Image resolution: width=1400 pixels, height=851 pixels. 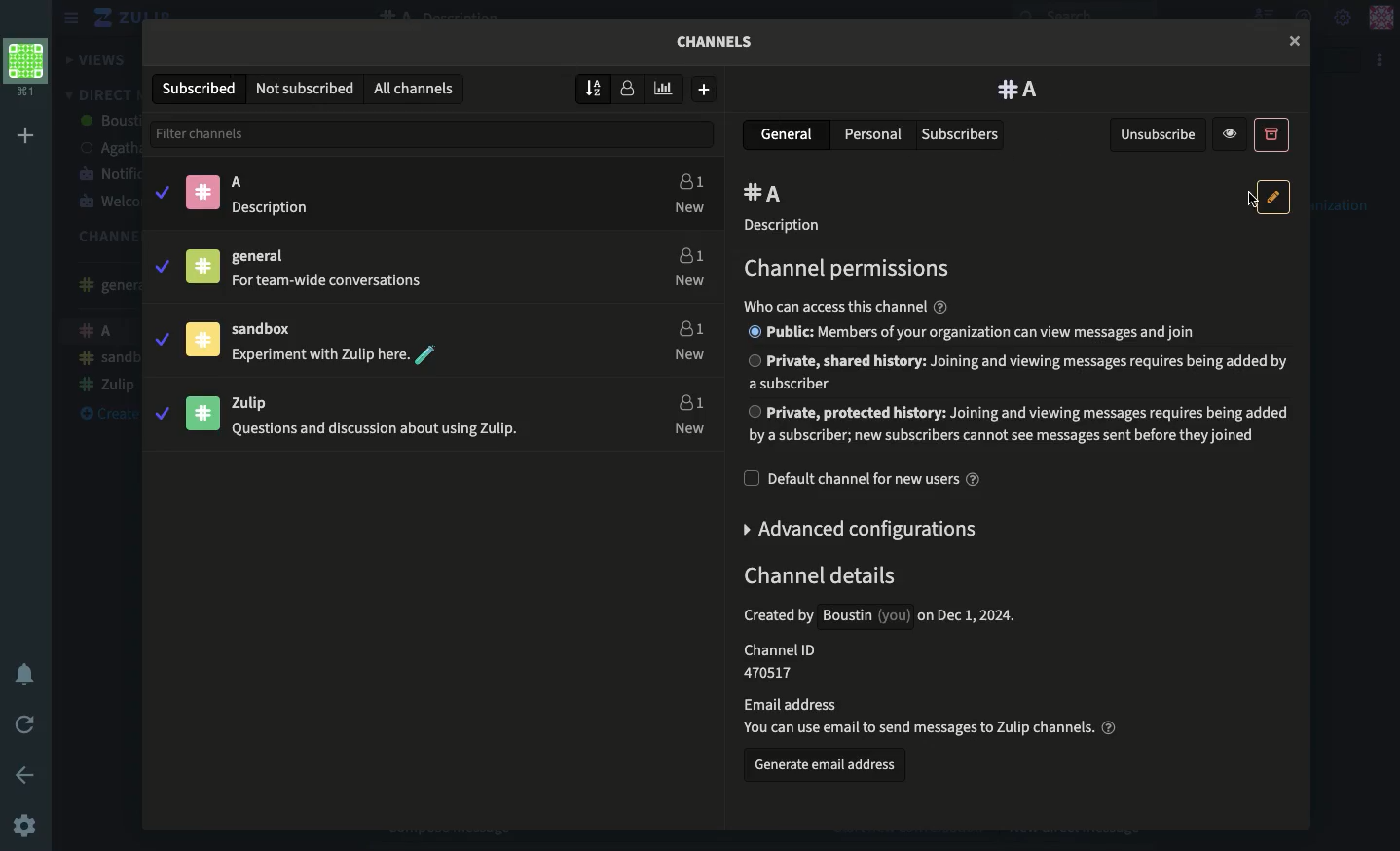 I want to click on Advanced configurations, so click(x=863, y=529).